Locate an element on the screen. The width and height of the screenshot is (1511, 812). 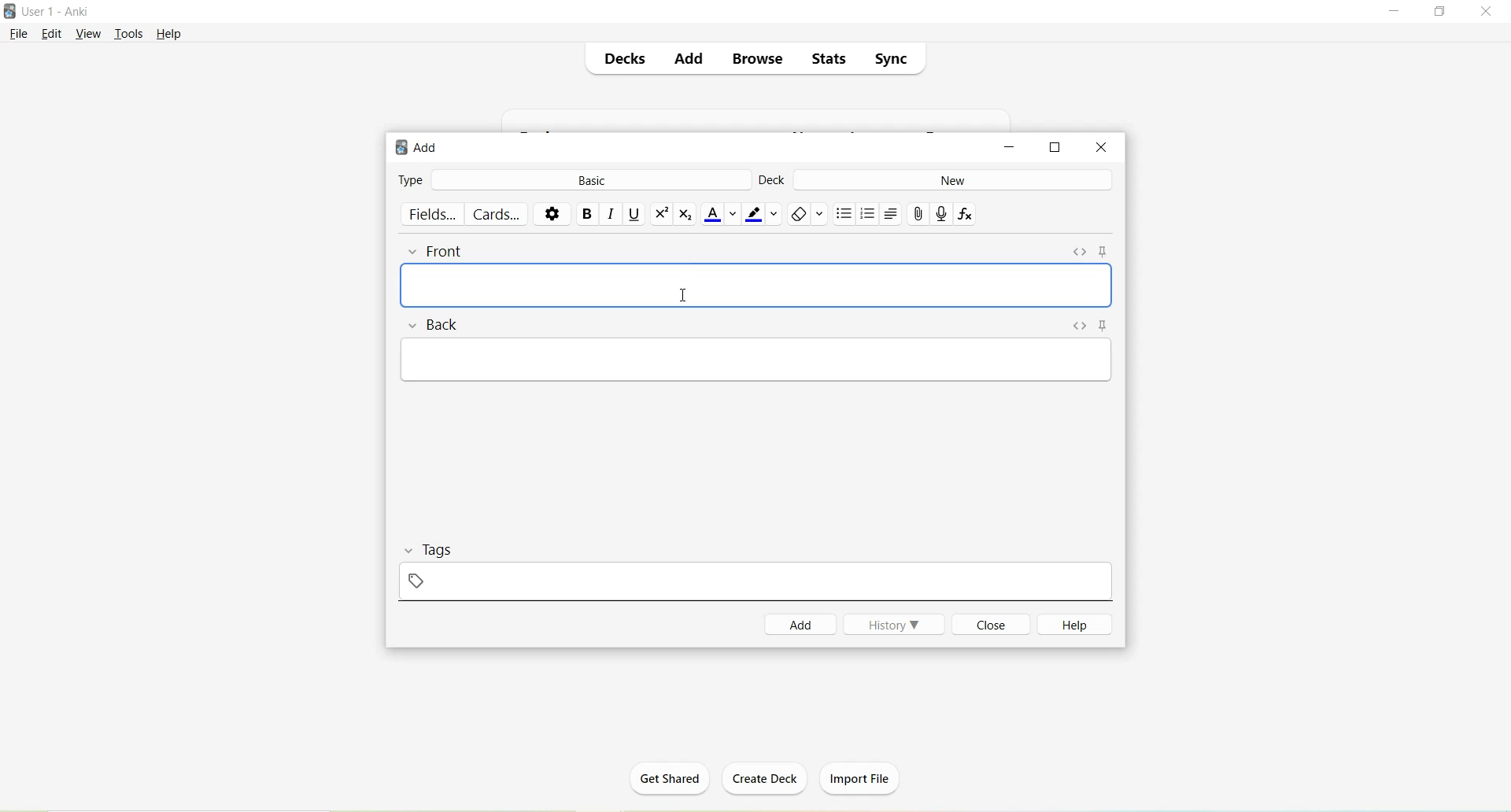
User 1 - Anki is located at coordinates (57, 11).